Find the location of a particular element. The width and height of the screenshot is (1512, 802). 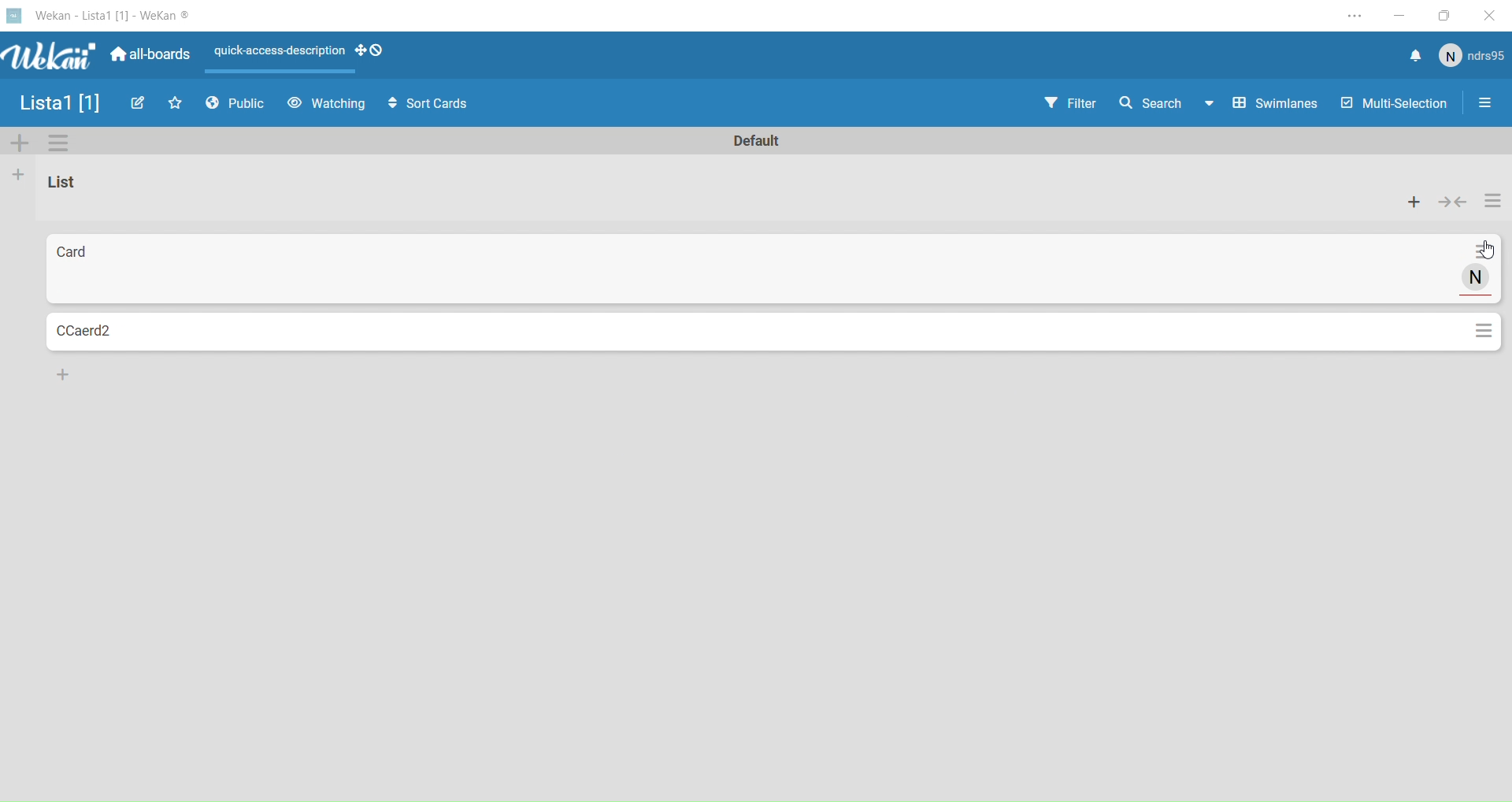

Filter is located at coordinates (1058, 104).